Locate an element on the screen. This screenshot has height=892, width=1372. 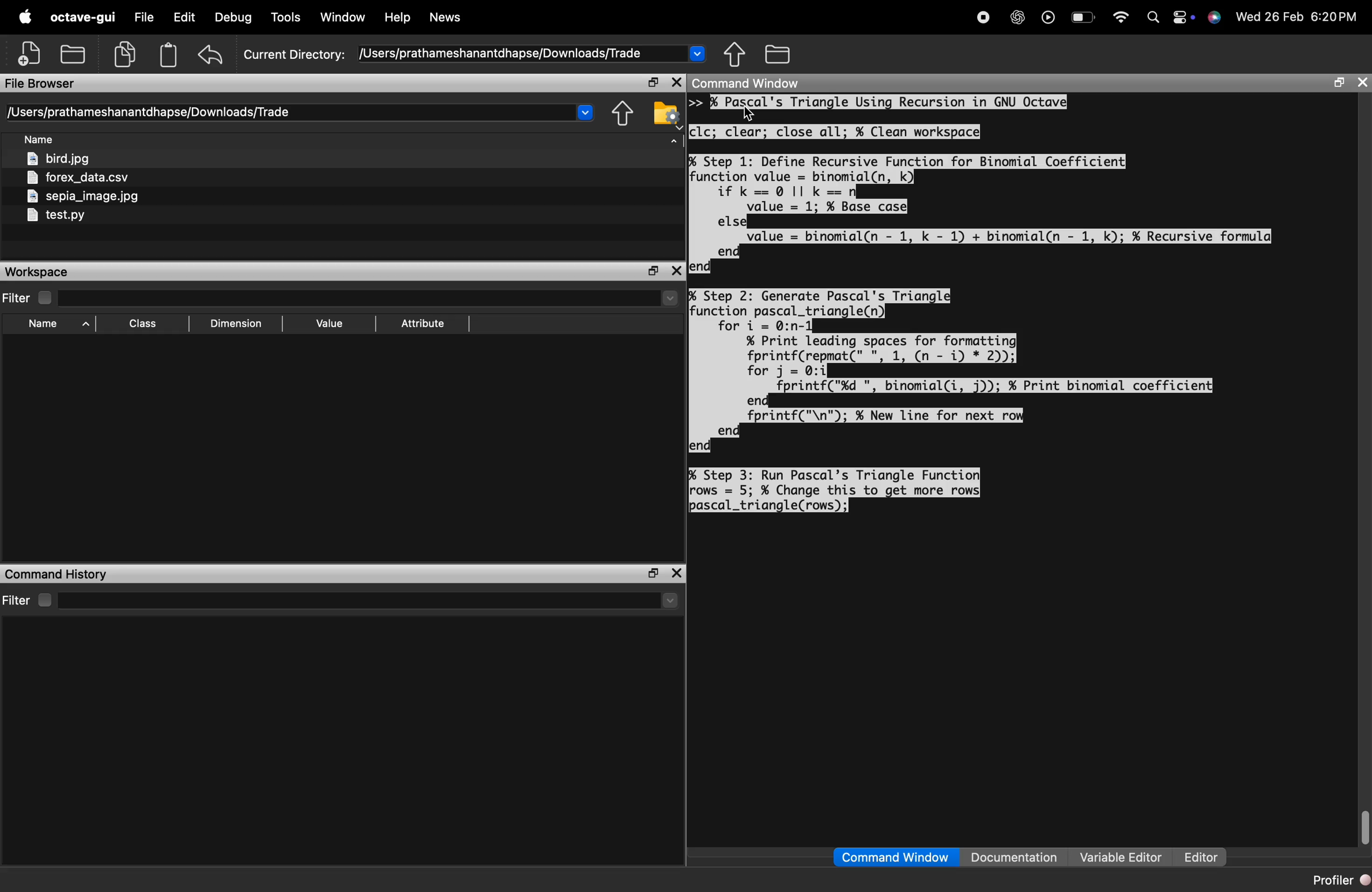
close is located at coordinates (677, 574).